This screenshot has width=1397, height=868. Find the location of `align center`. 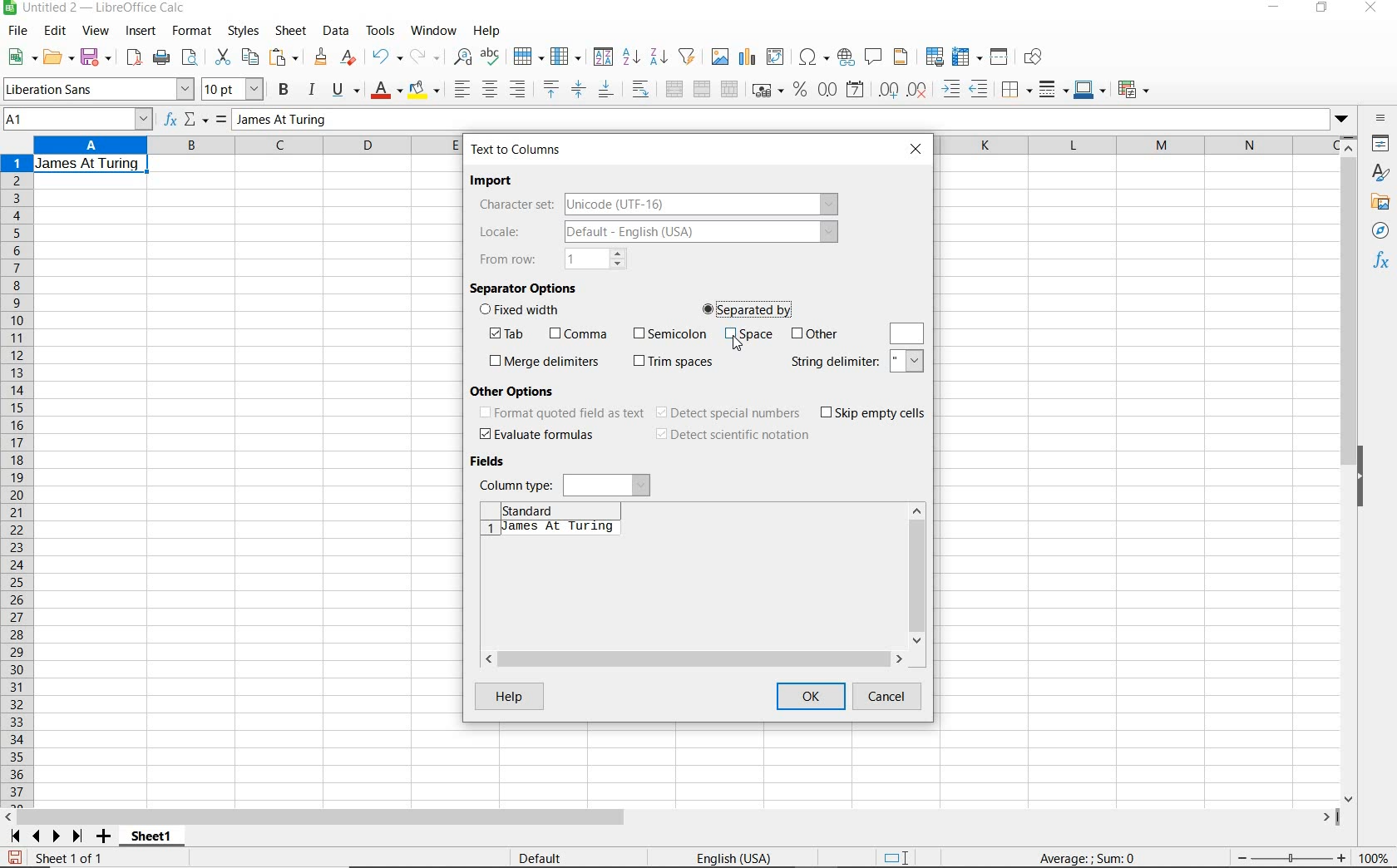

align center is located at coordinates (489, 89).